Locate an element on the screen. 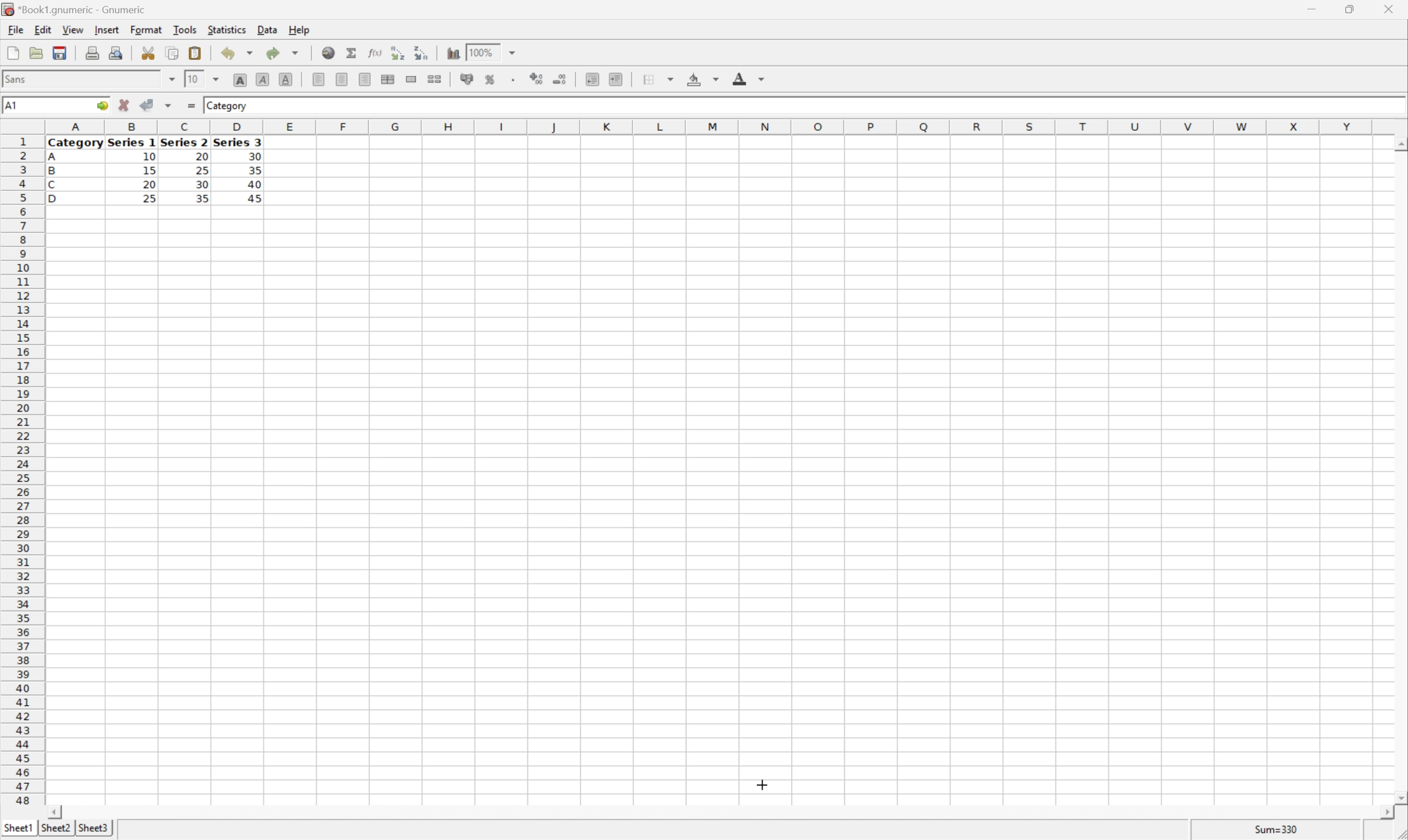 Image resolution: width=1408 pixels, height=840 pixels. Paste clipboard is located at coordinates (195, 52).